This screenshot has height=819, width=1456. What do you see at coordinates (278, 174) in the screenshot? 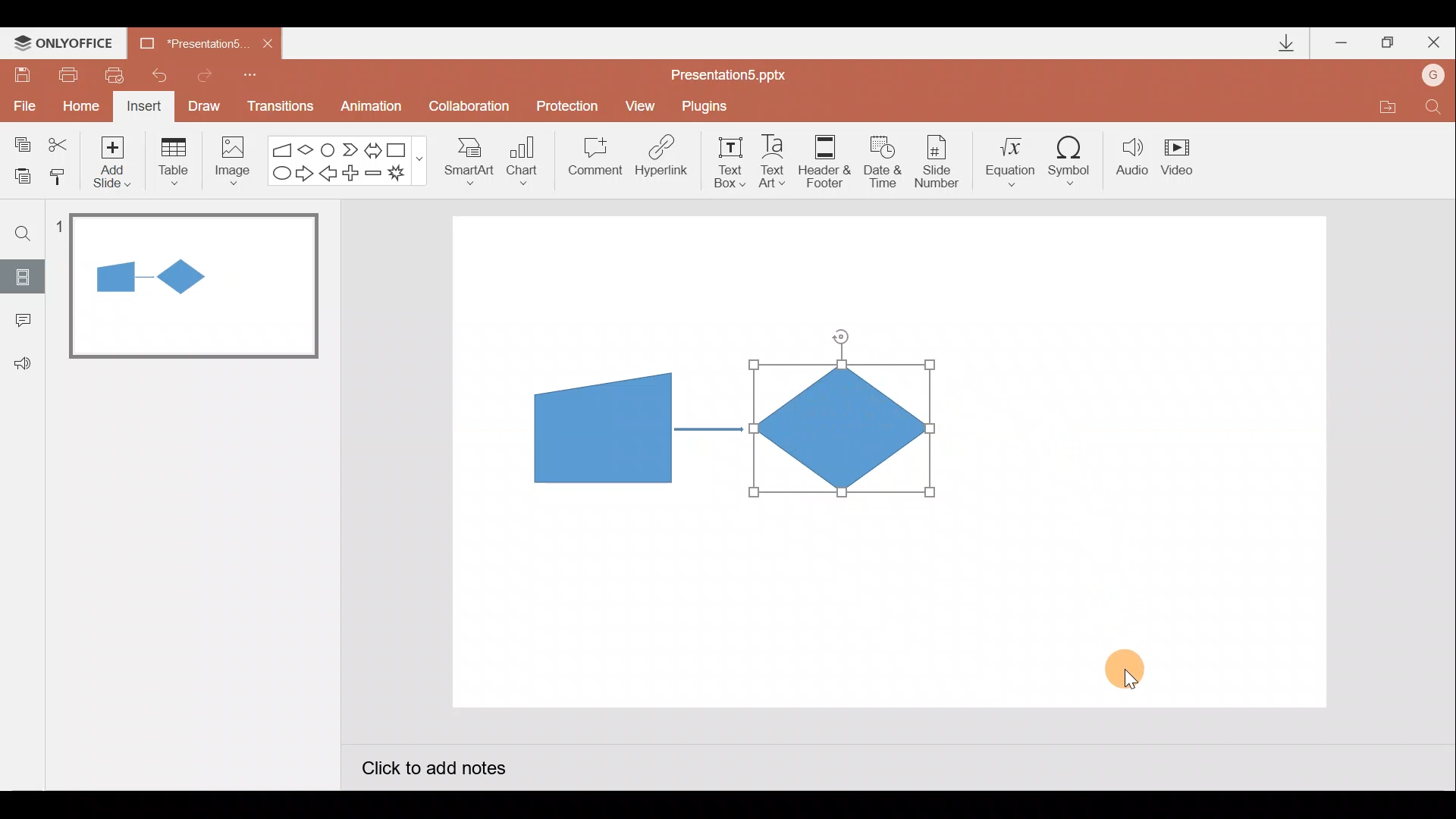
I see `Ellipse` at bounding box center [278, 174].